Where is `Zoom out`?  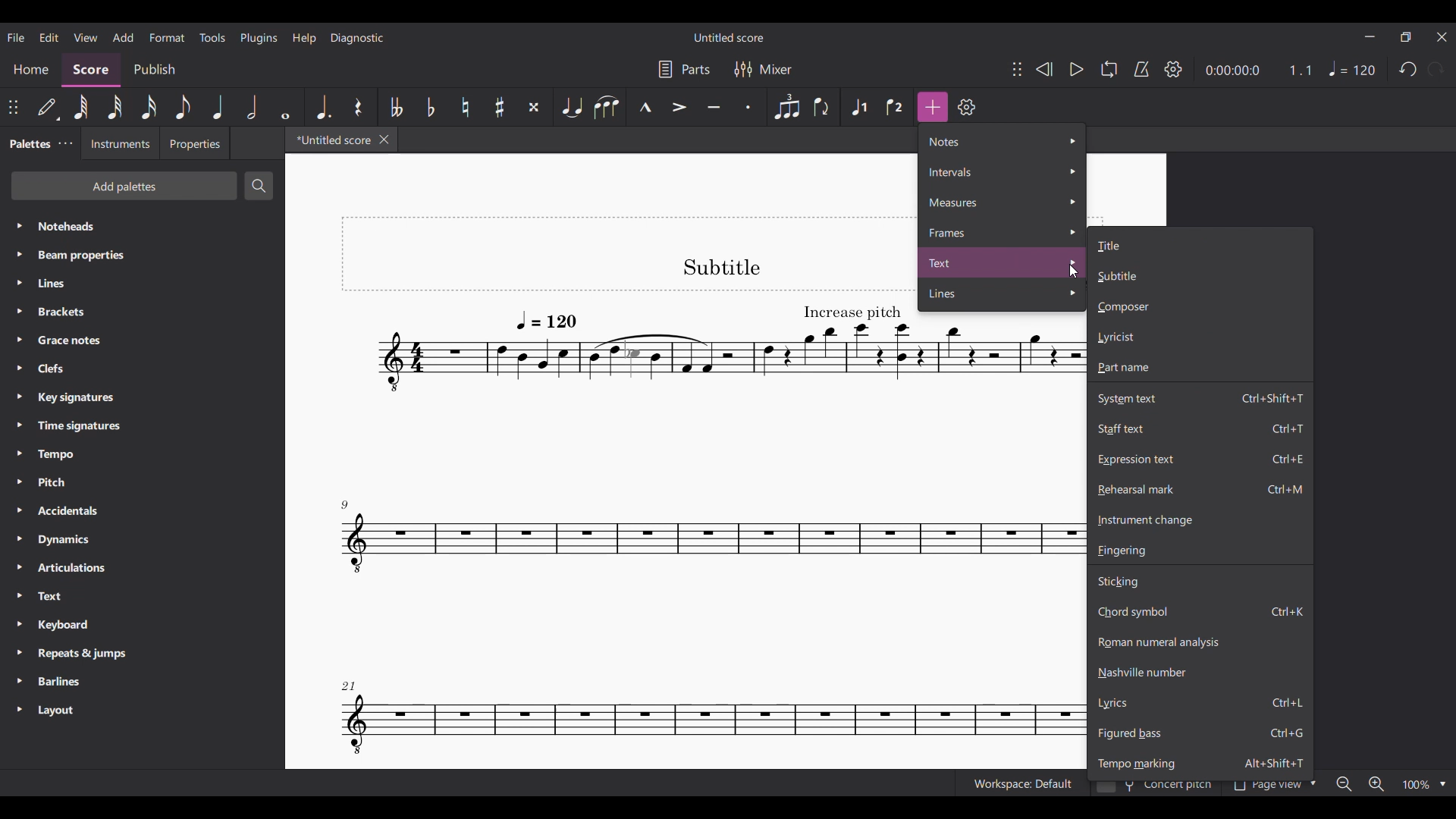 Zoom out is located at coordinates (1345, 783).